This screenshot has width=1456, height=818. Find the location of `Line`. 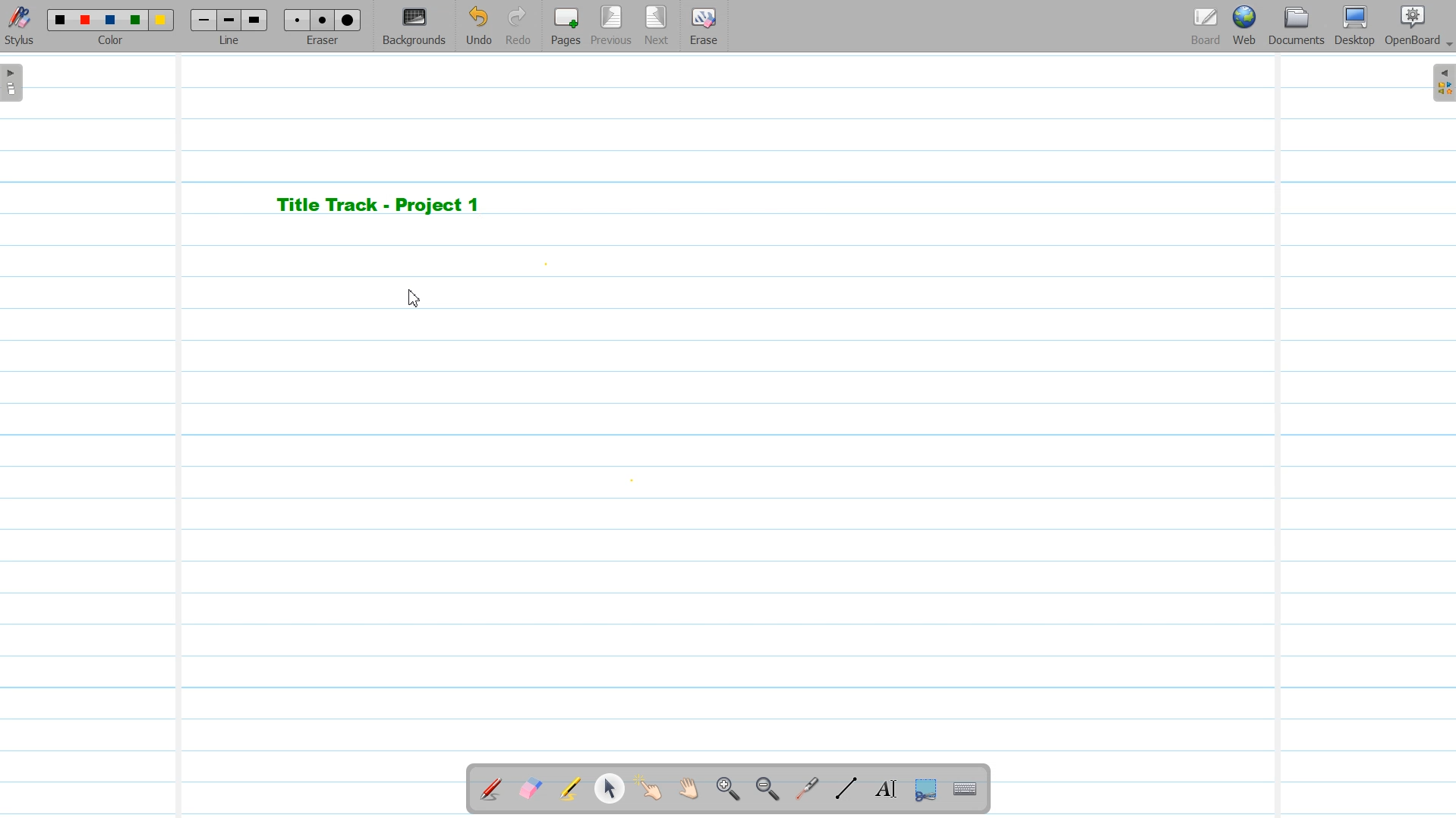

Line is located at coordinates (231, 26).